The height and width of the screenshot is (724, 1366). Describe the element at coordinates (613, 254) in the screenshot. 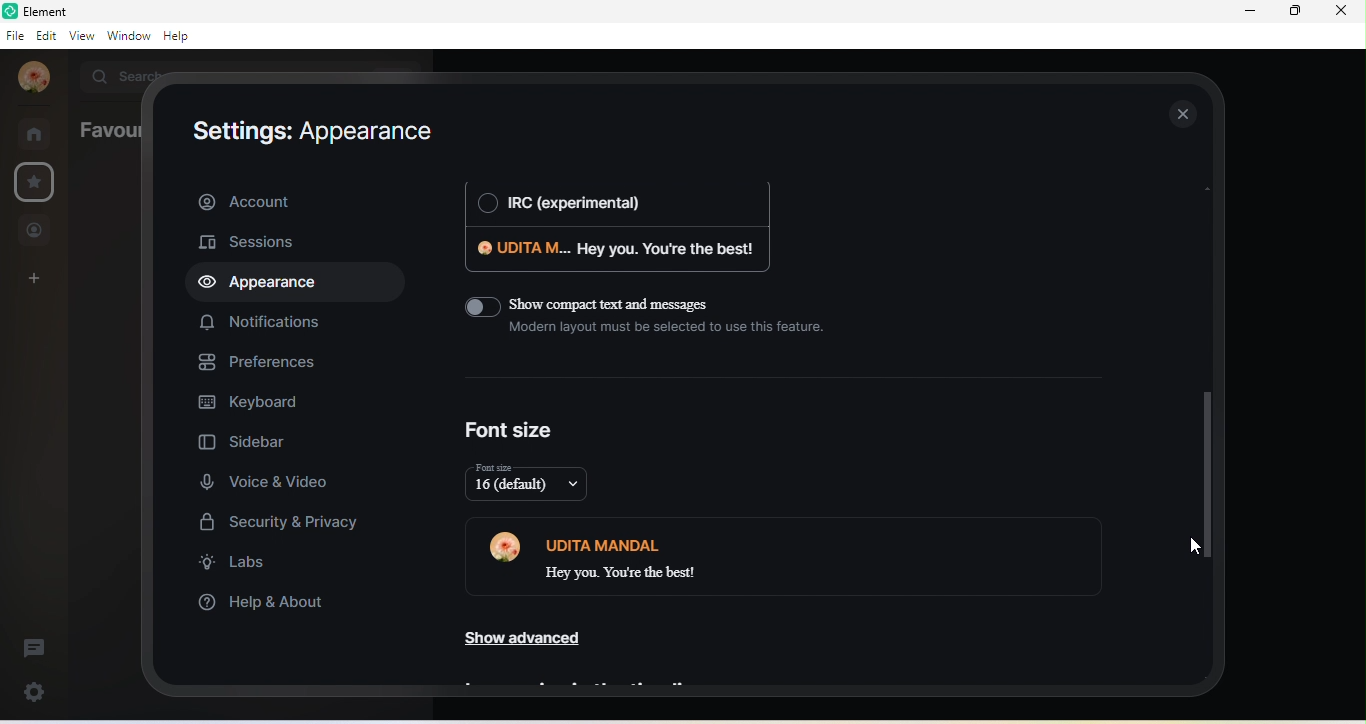

I see `udita m. hey you . you're the best` at that location.